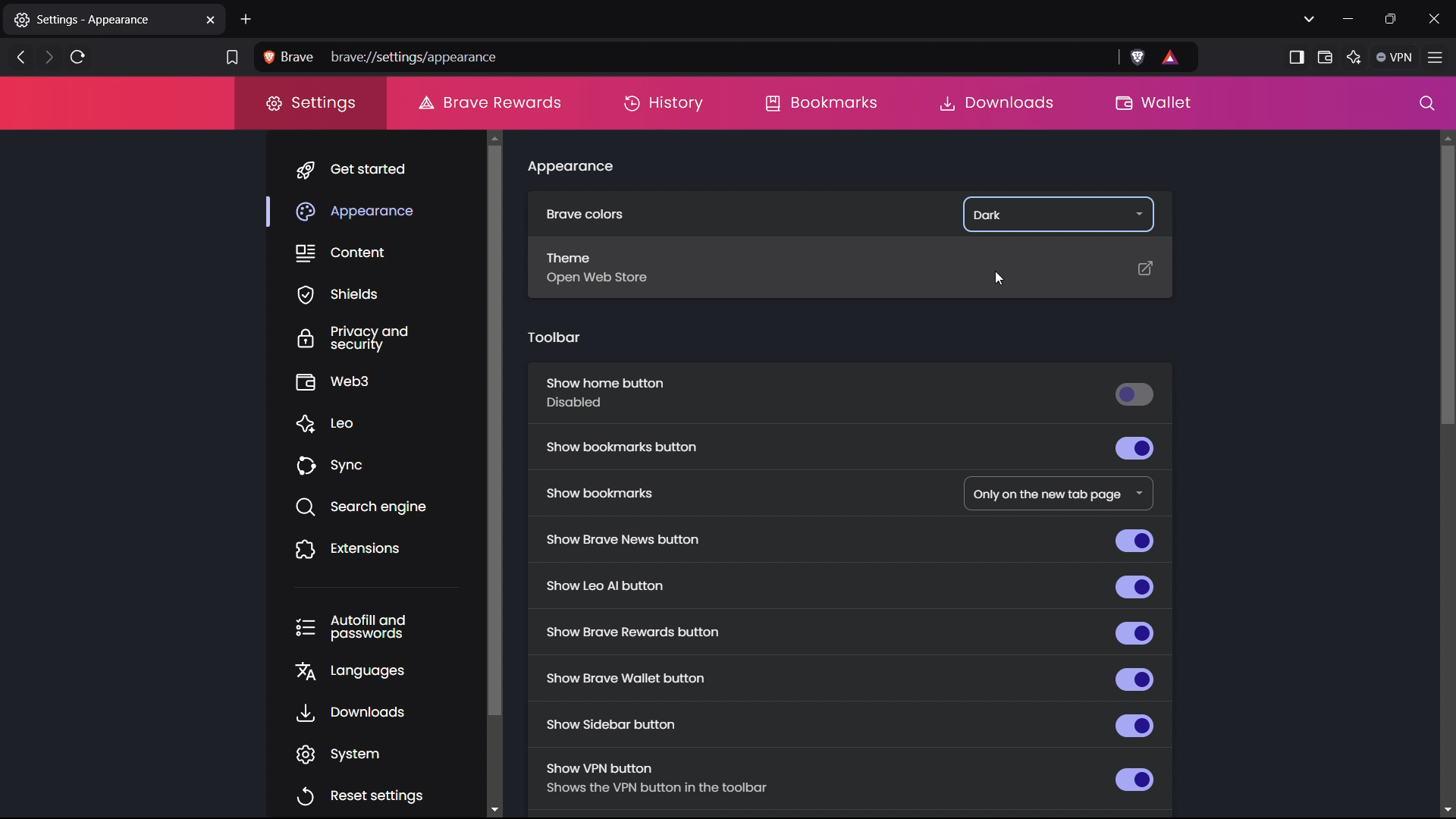 The image size is (1456, 819). Describe the element at coordinates (1436, 18) in the screenshot. I see `close` at that location.